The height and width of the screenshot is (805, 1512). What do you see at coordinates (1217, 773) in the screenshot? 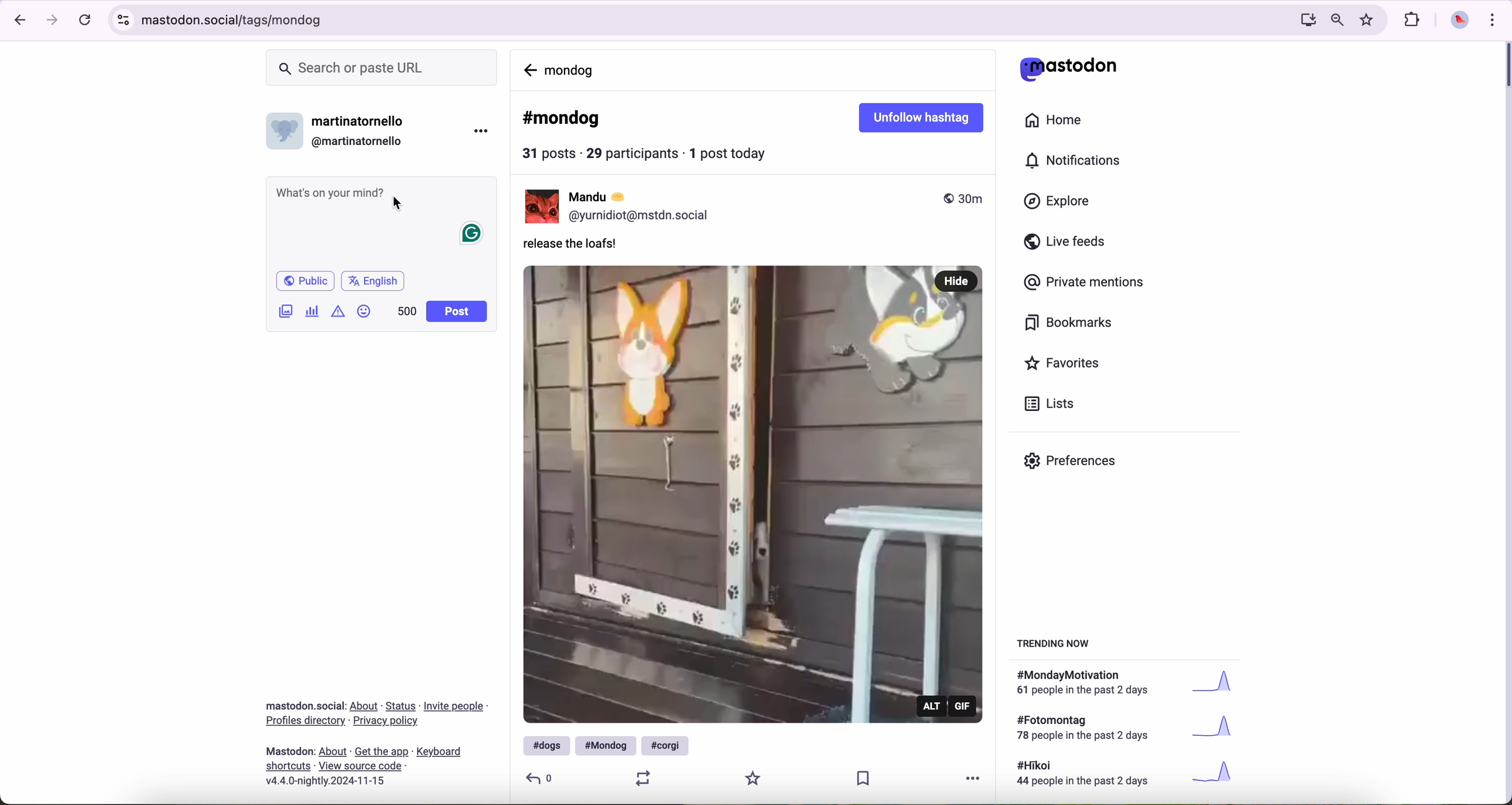
I see `graph` at bounding box center [1217, 773].